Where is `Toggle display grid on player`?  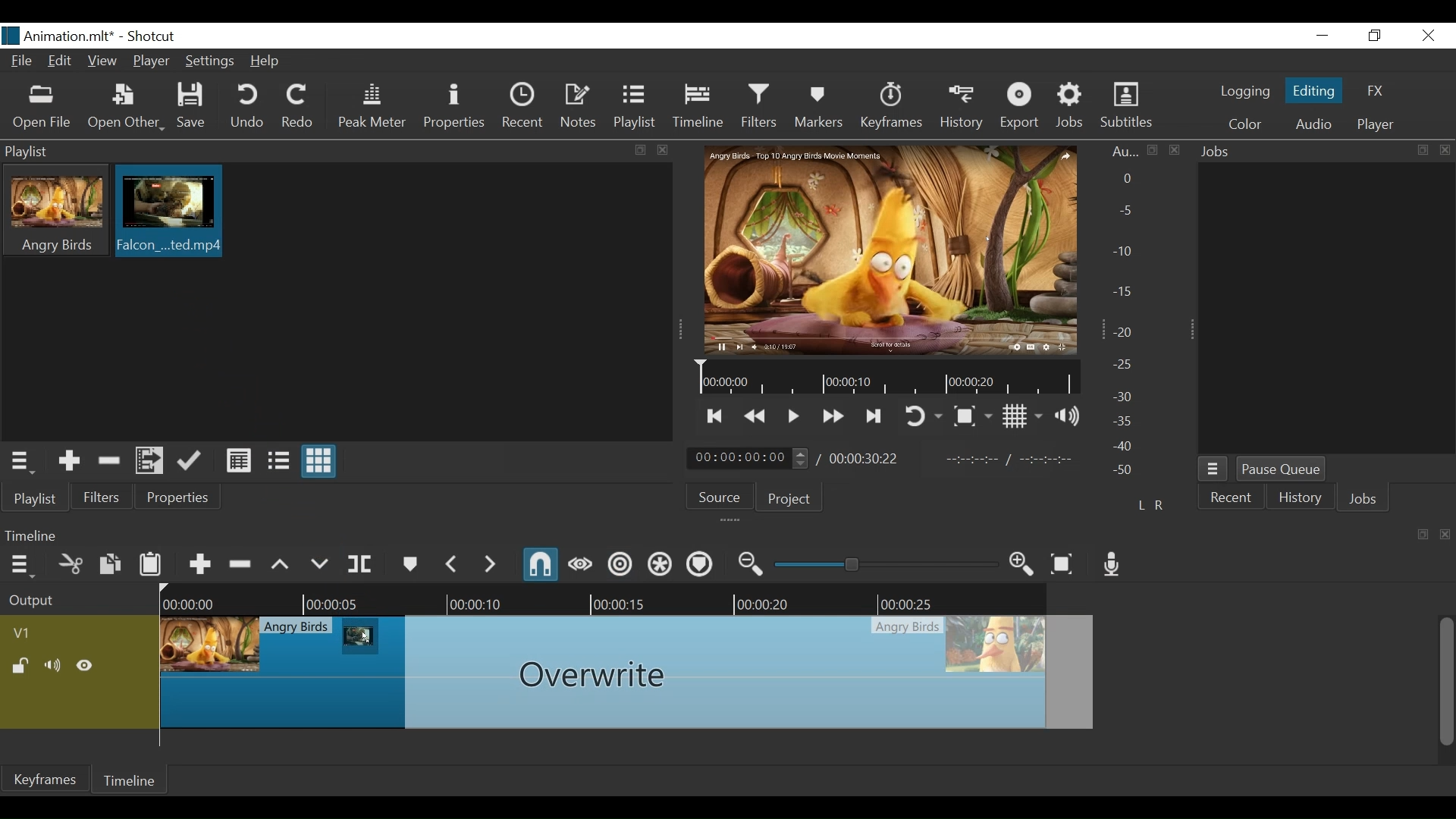
Toggle display grid on player is located at coordinates (1022, 417).